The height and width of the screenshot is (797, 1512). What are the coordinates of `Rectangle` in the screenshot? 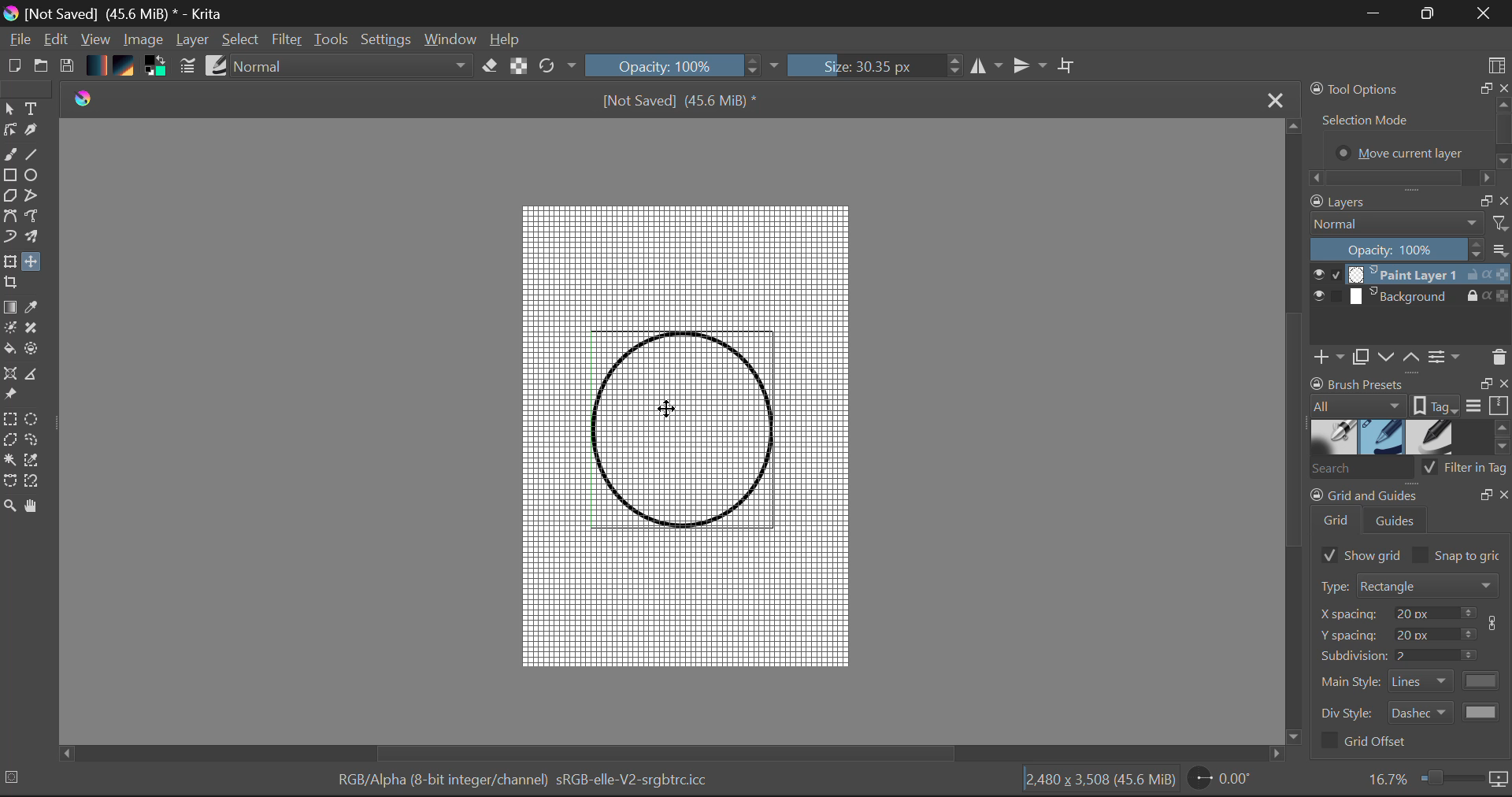 It's located at (9, 176).